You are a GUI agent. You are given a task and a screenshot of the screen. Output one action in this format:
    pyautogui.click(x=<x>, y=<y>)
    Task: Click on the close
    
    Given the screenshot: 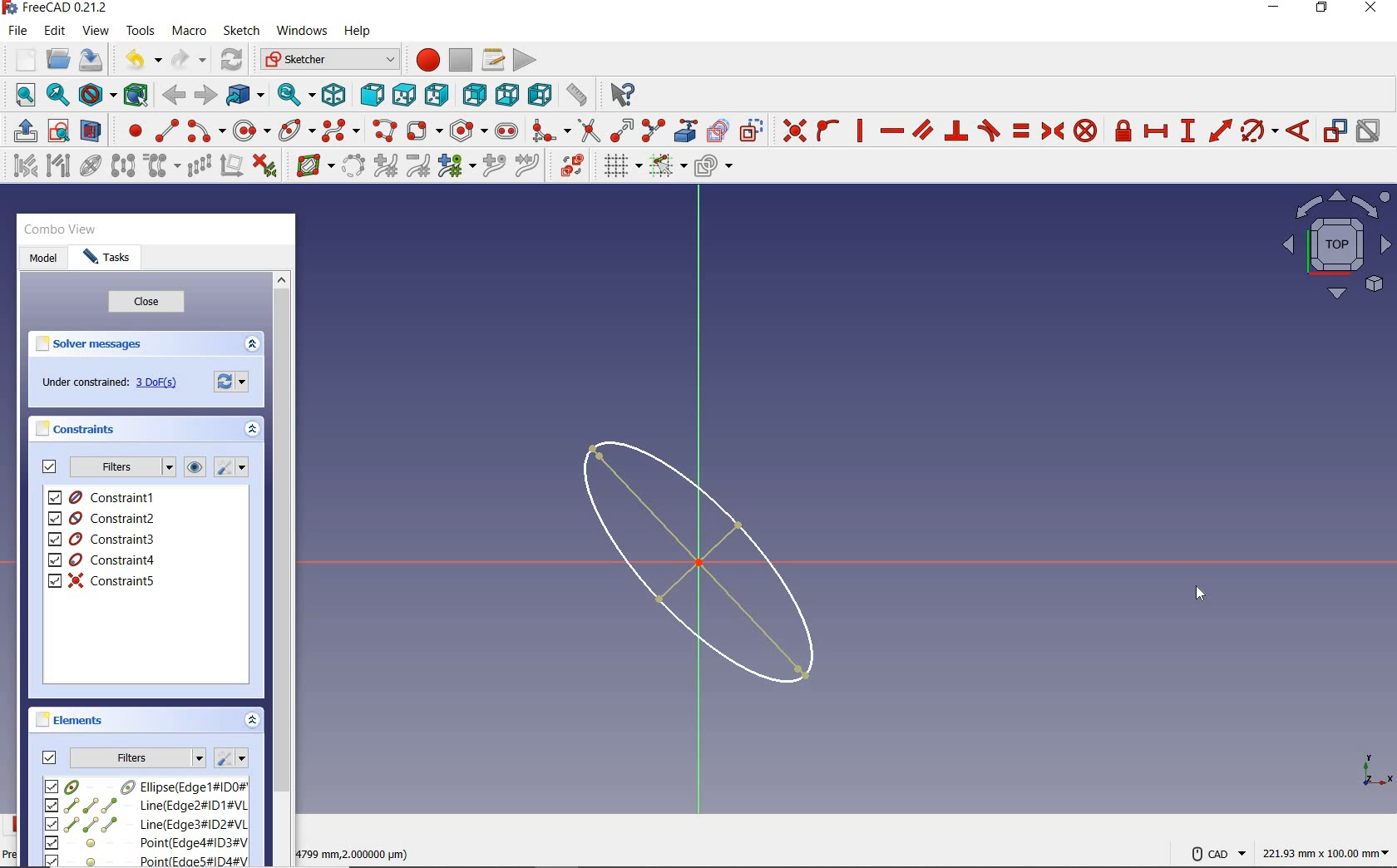 What is the action you would take?
    pyautogui.click(x=146, y=303)
    